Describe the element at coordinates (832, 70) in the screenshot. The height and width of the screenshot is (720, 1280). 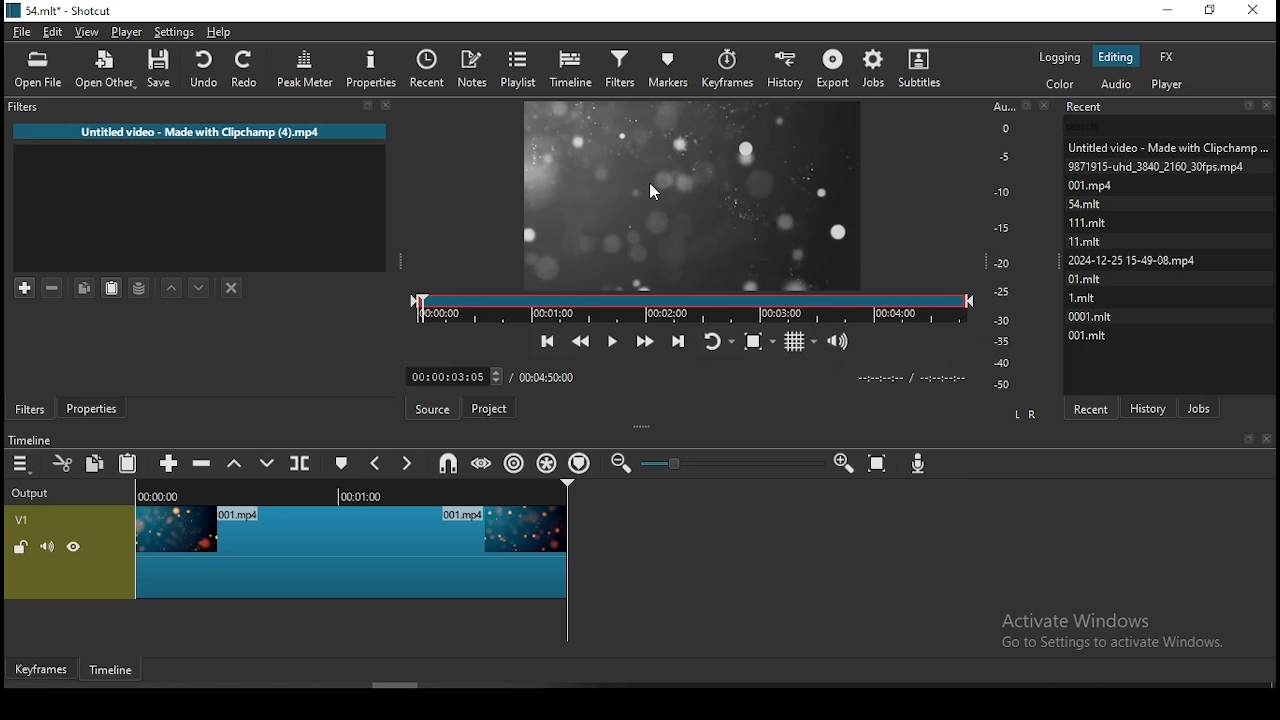
I see `export` at that location.